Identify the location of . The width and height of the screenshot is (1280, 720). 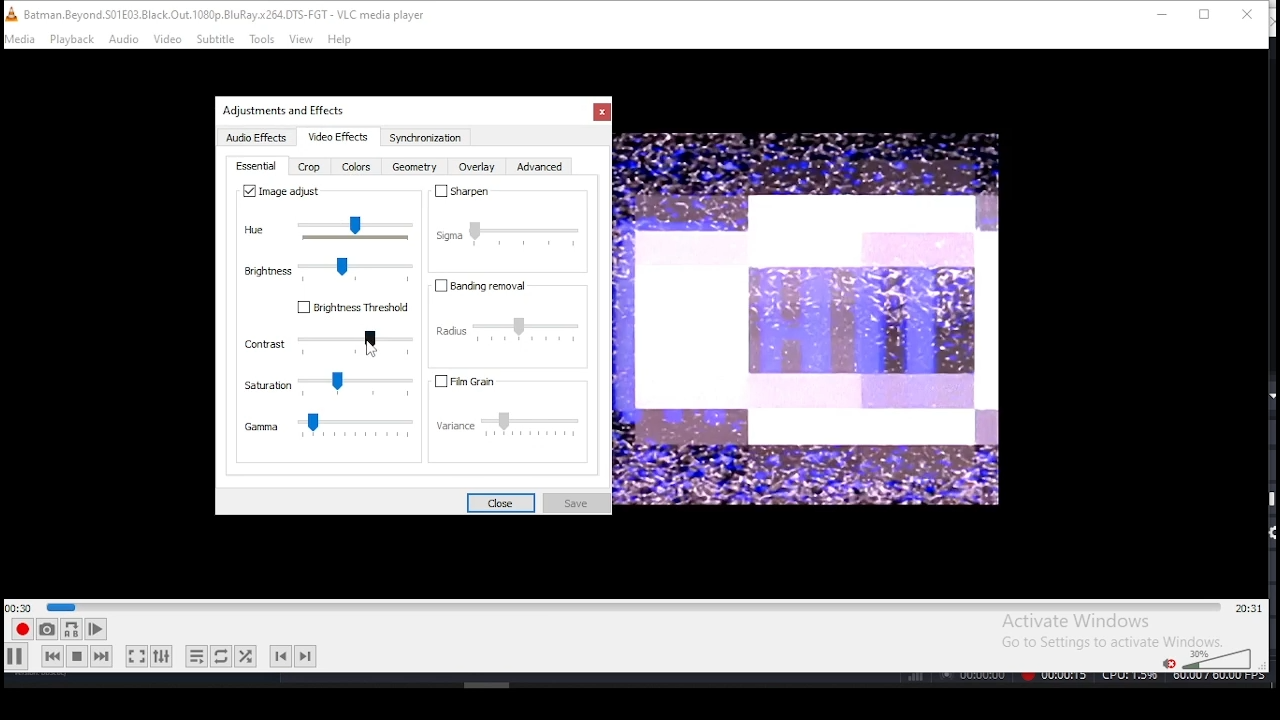
(807, 318).